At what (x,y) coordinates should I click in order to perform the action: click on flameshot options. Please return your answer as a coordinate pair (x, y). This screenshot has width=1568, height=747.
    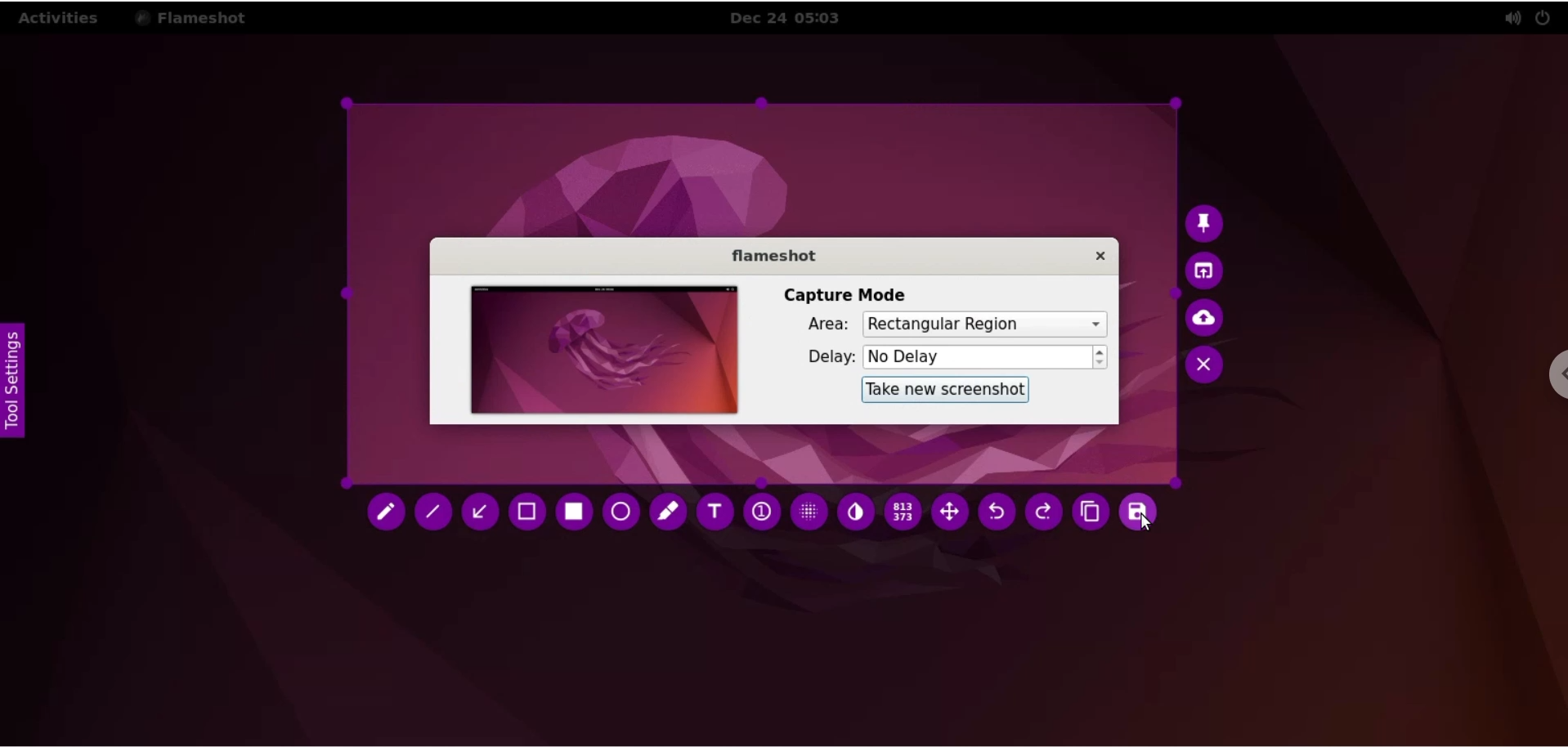
    Looking at the image, I should click on (195, 17).